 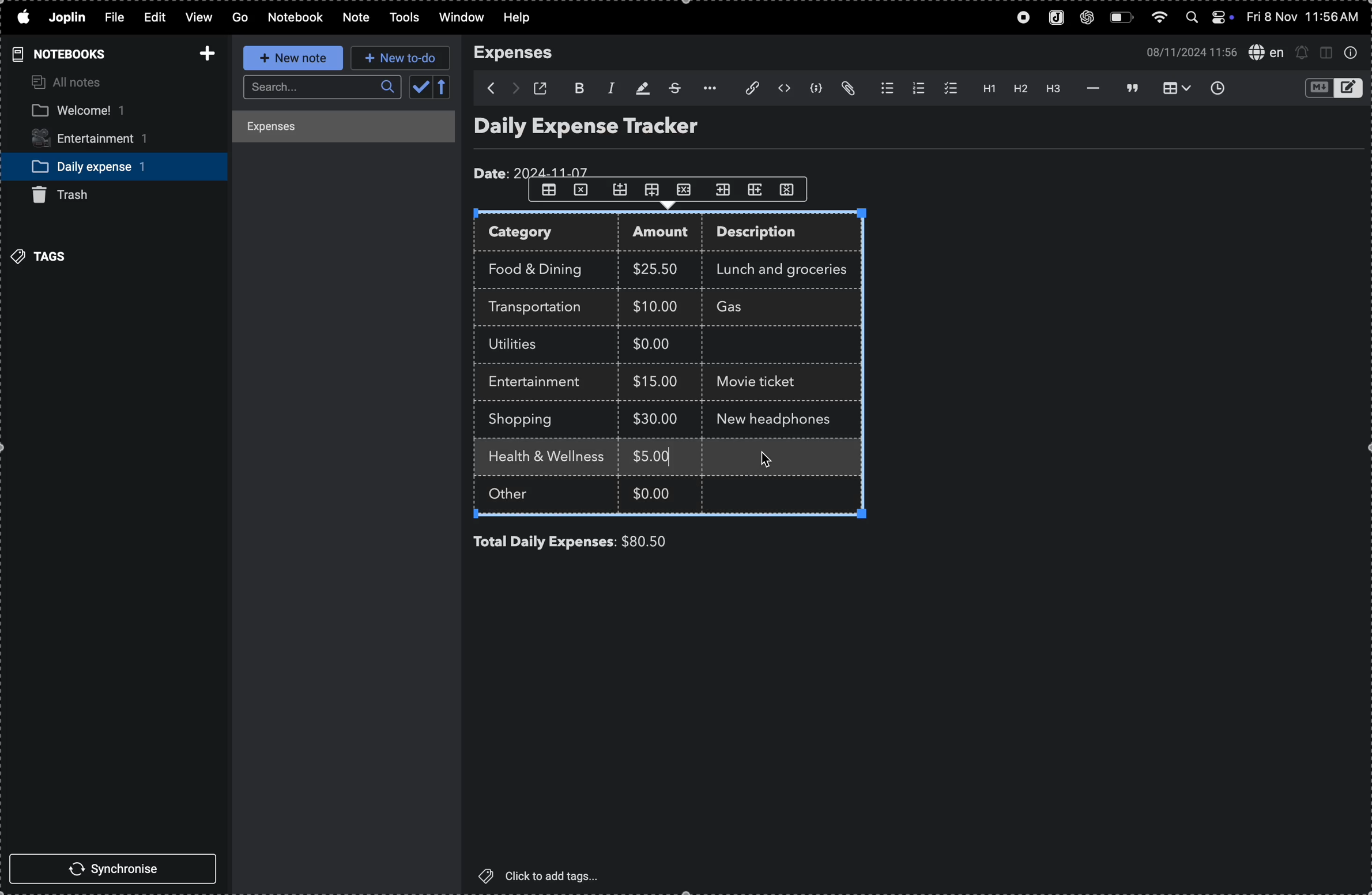 What do you see at coordinates (401, 58) in the screenshot?
I see `new to do` at bounding box center [401, 58].